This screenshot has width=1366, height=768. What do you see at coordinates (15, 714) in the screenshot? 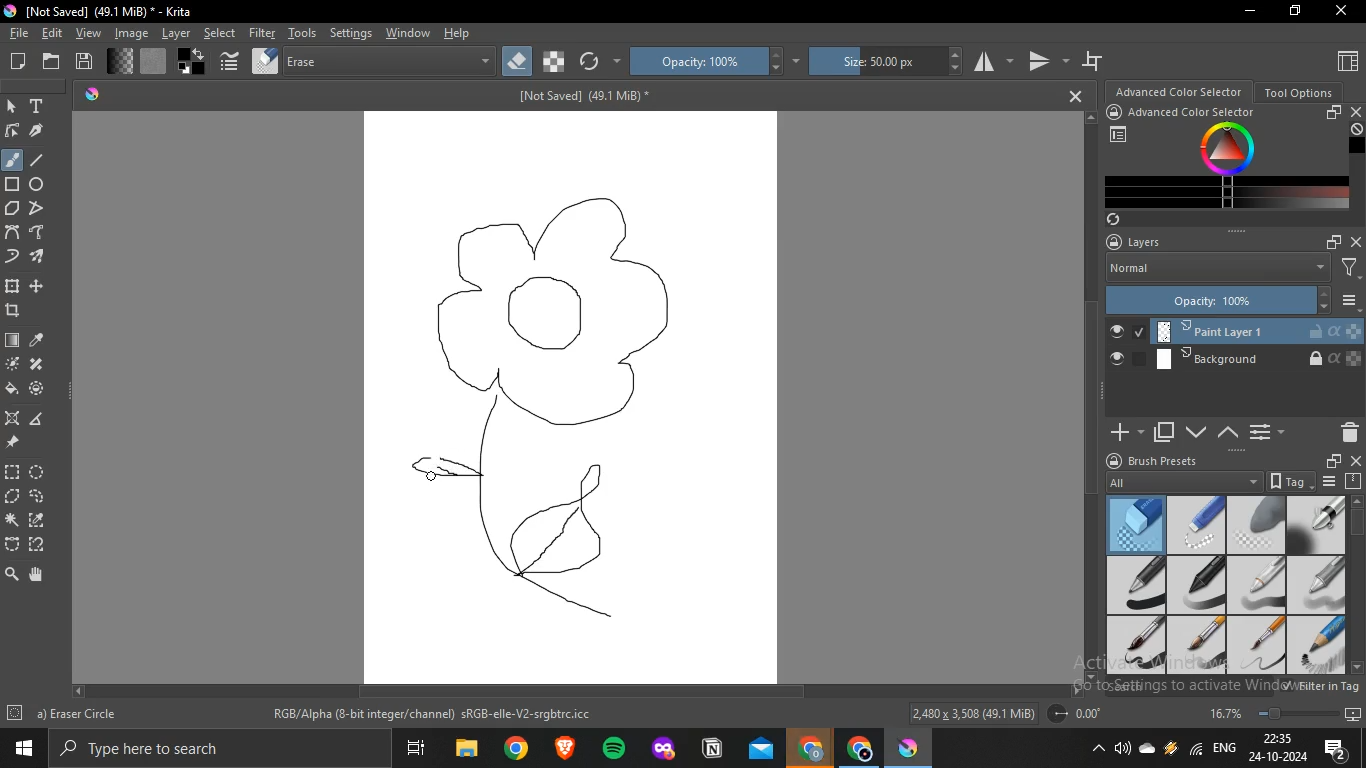
I see `Settings` at bounding box center [15, 714].